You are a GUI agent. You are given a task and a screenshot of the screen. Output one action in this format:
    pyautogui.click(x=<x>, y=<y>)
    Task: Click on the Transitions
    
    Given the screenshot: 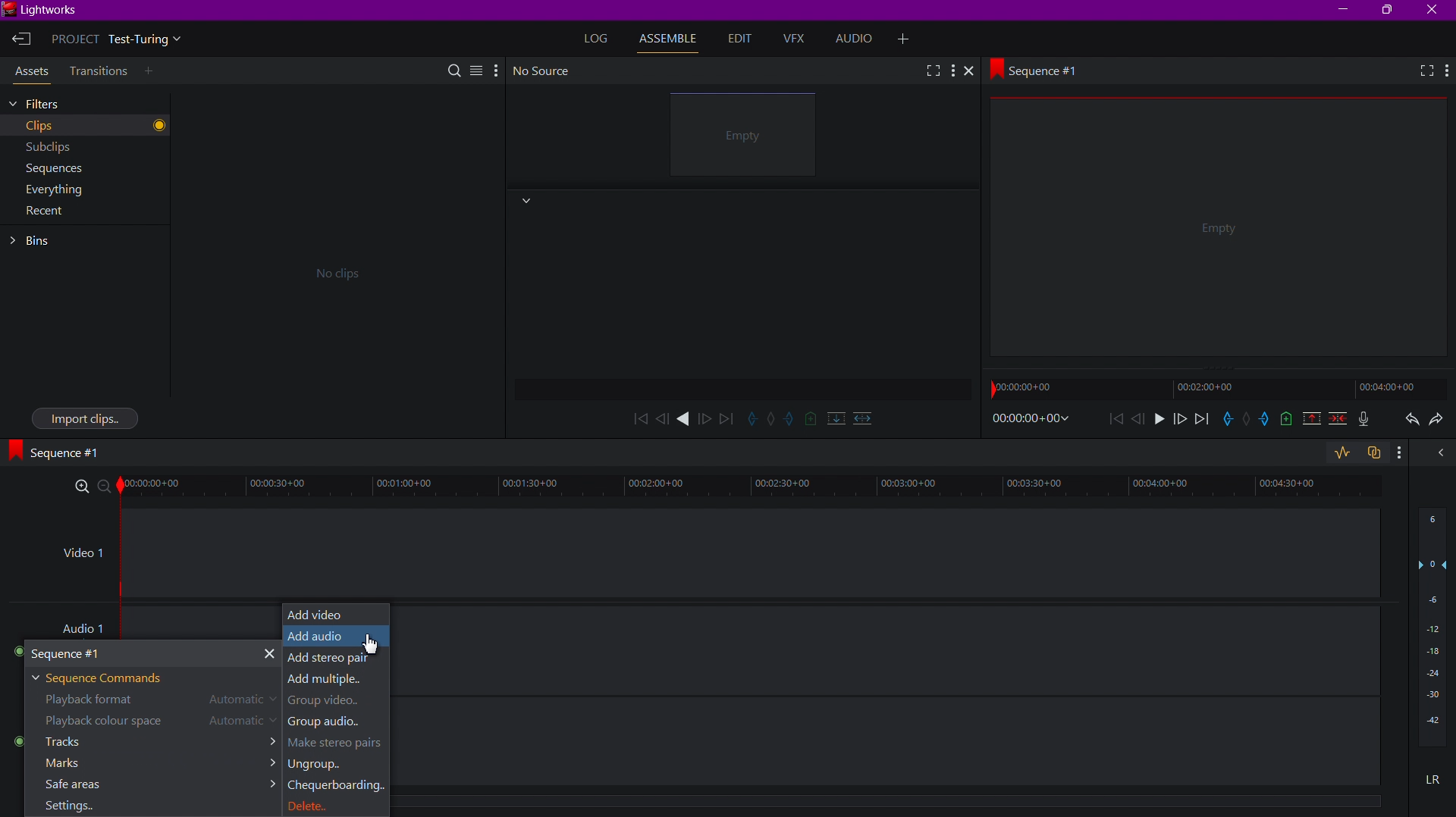 What is the action you would take?
    pyautogui.click(x=97, y=71)
    